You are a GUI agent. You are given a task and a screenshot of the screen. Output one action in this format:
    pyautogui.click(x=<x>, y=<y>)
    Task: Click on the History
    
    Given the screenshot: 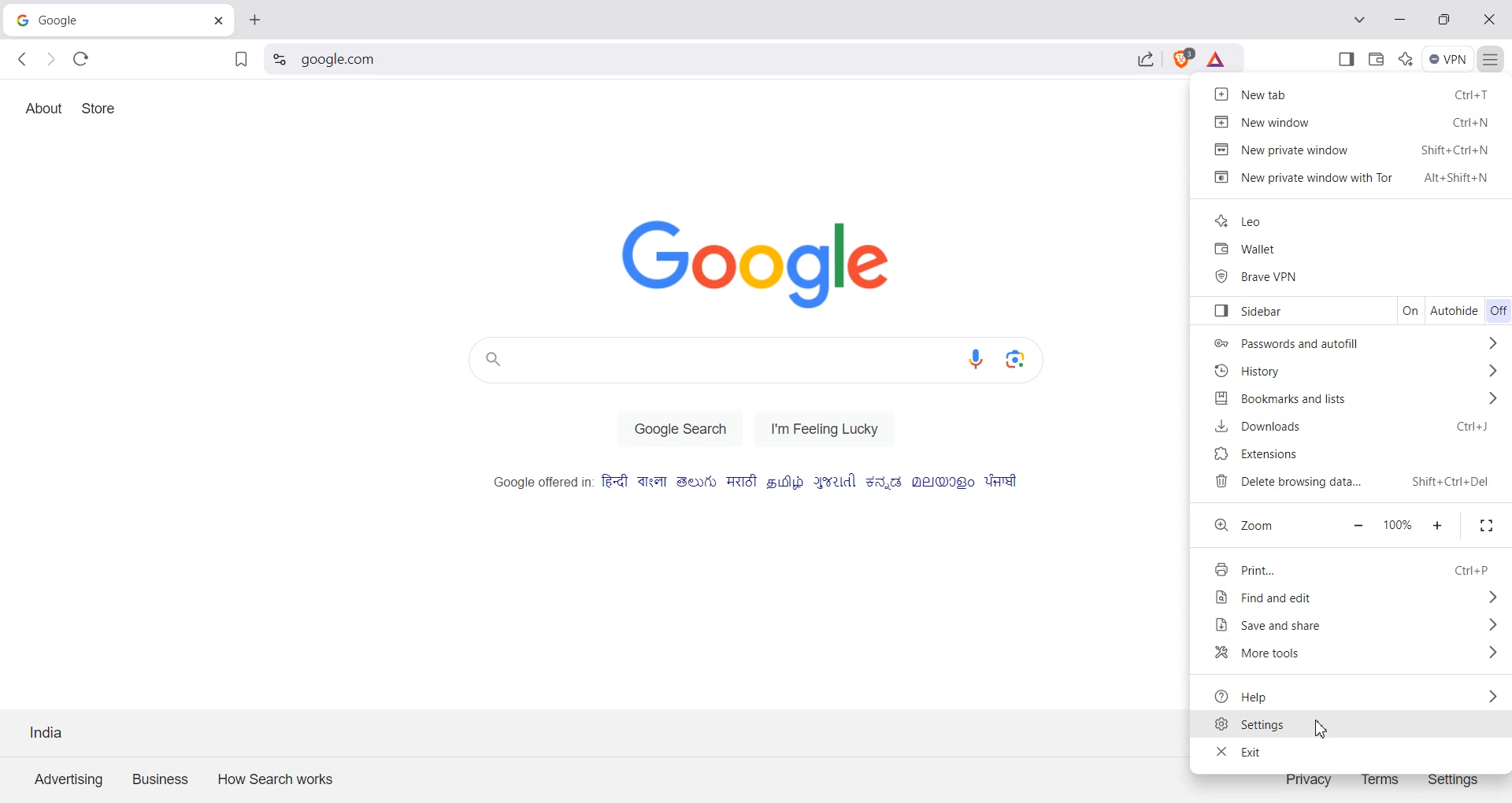 What is the action you would take?
    pyautogui.click(x=1361, y=372)
    